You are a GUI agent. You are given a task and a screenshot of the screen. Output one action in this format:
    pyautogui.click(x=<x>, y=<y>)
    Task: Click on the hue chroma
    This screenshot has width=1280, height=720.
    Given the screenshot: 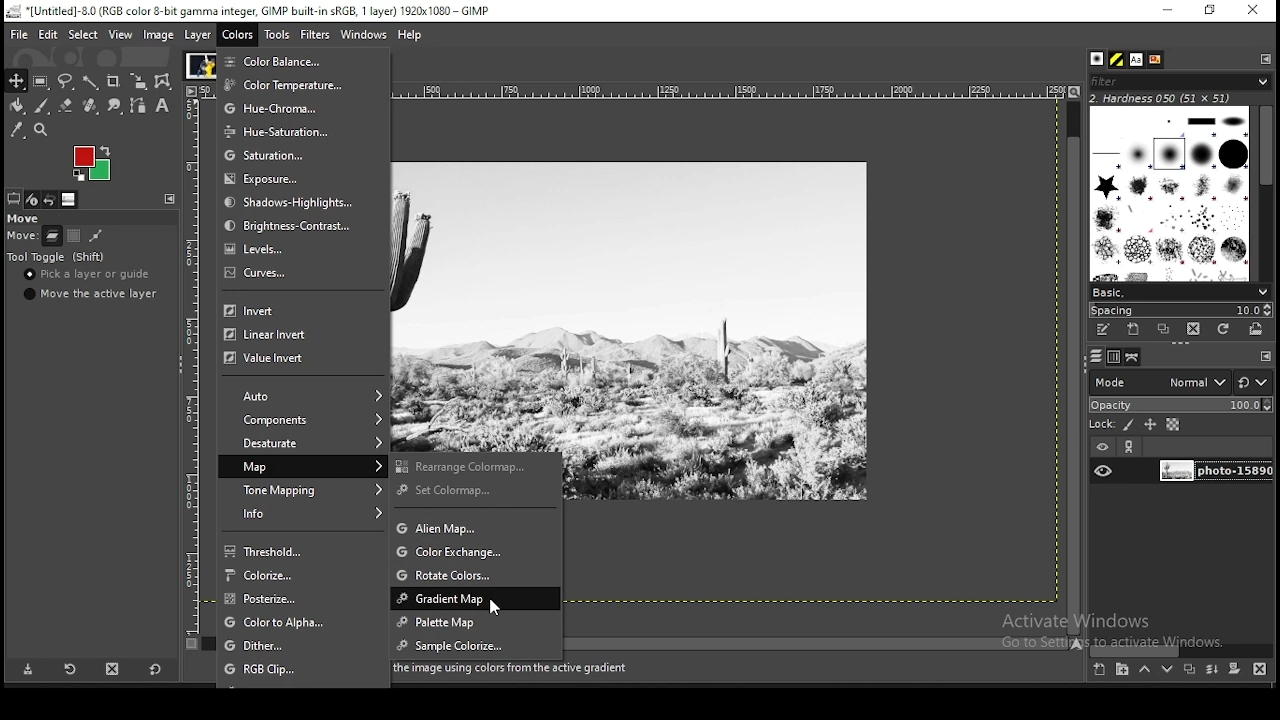 What is the action you would take?
    pyautogui.click(x=286, y=107)
    